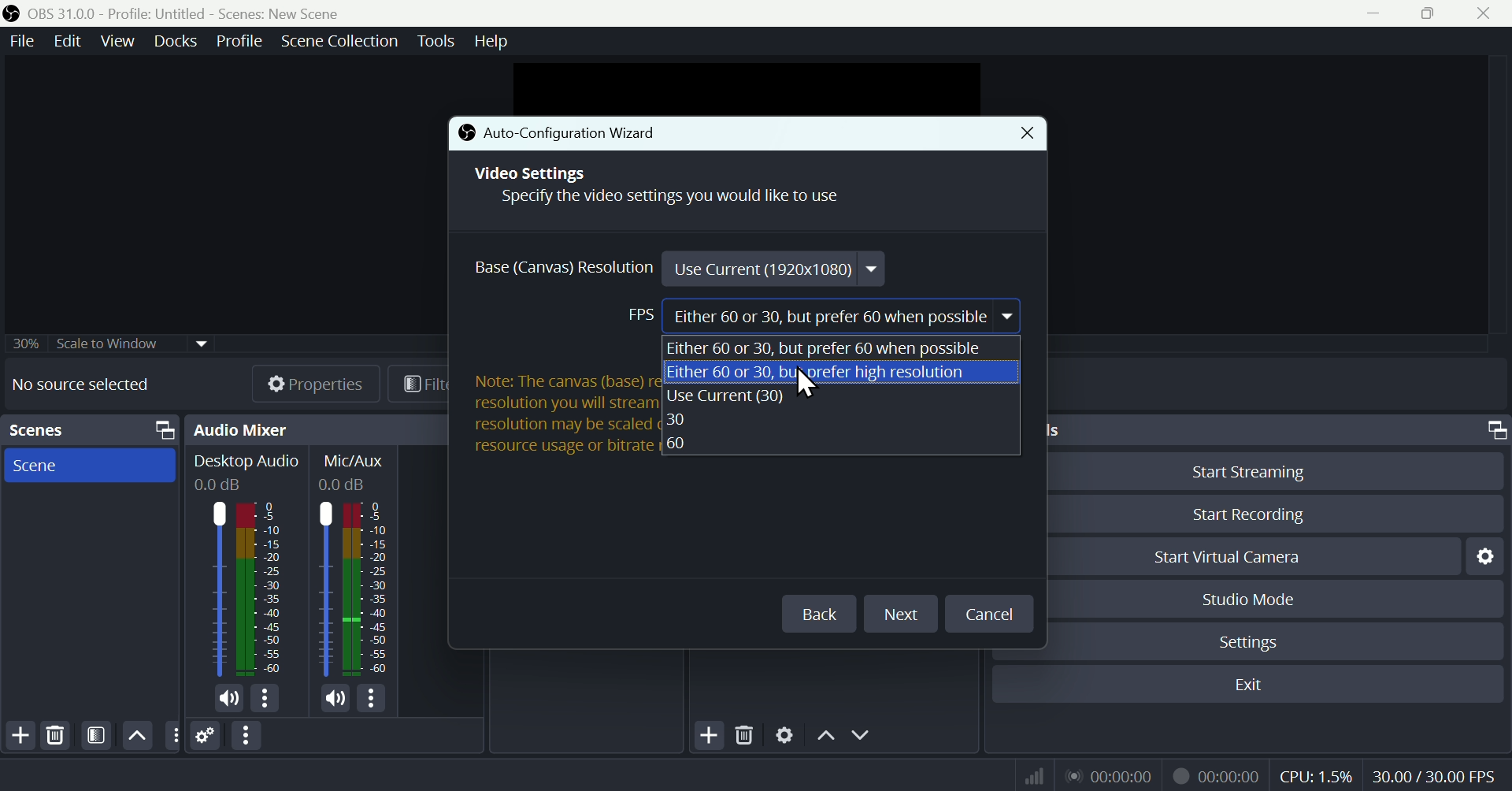 The width and height of the screenshot is (1512, 791). Describe the element at coordinates (187, 13) in the screenshot. I see `OBS 31.0 .0 Profile: Untitled - Scenes:New scene` at that location.